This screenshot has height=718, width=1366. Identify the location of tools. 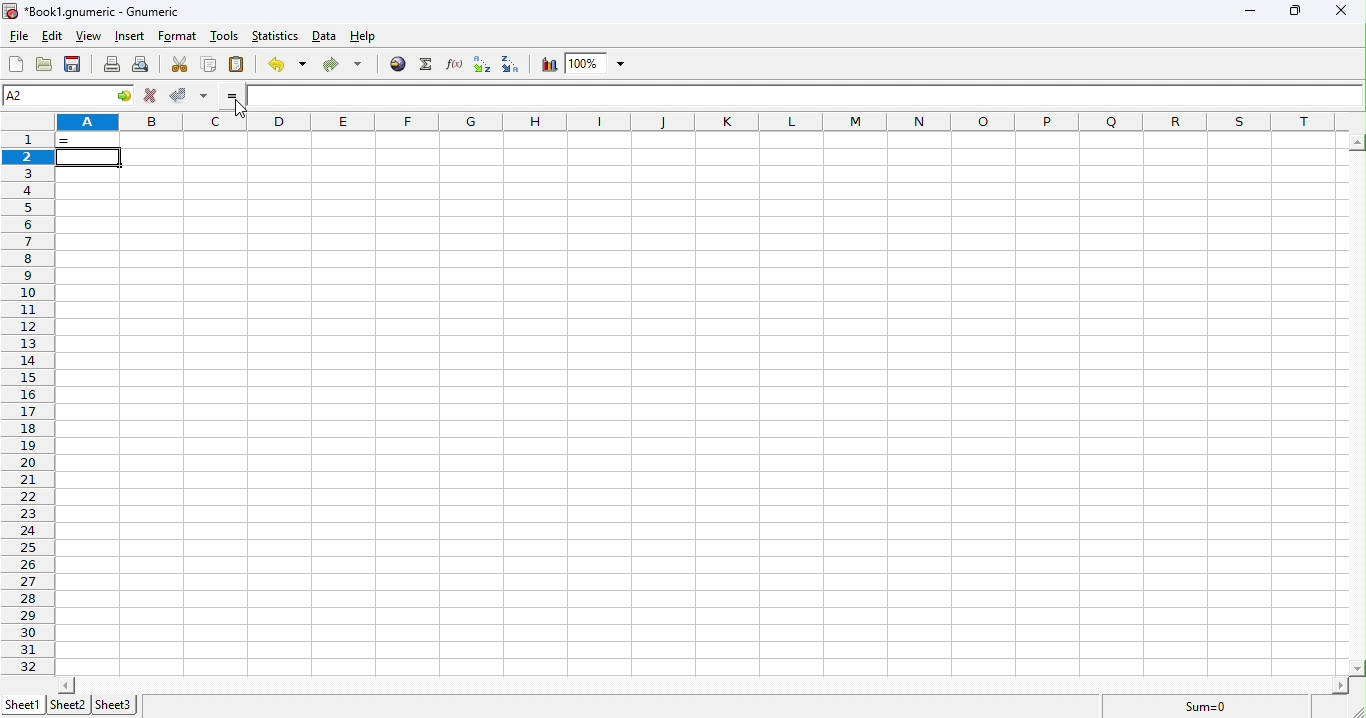
(225, 36).